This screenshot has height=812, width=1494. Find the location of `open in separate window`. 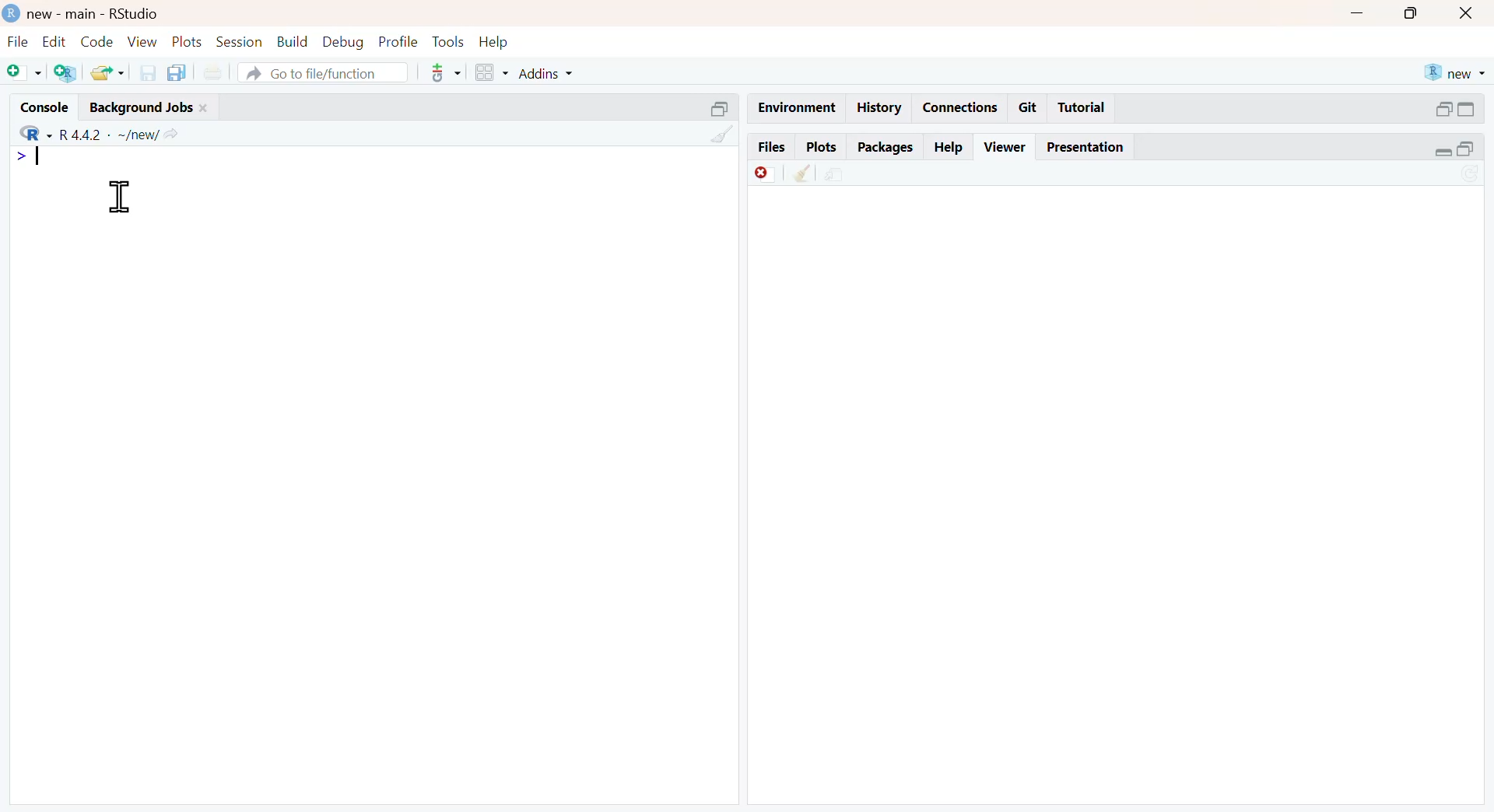

open in separate window is located at coordinates (1466, 149).